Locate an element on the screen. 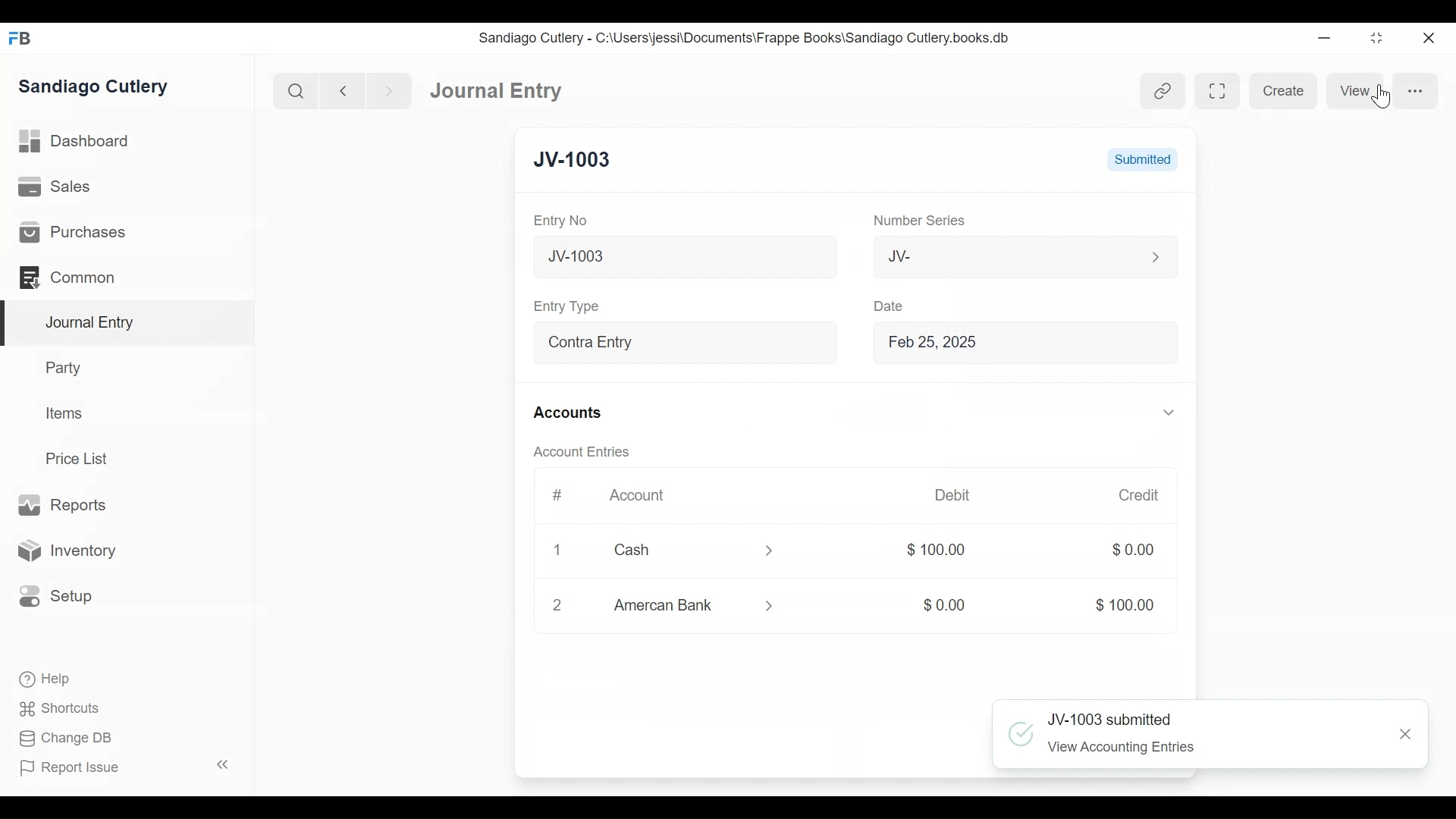 The height and width of the screenshot is (819, 1456). Setup is located at coordinates (56, 595).